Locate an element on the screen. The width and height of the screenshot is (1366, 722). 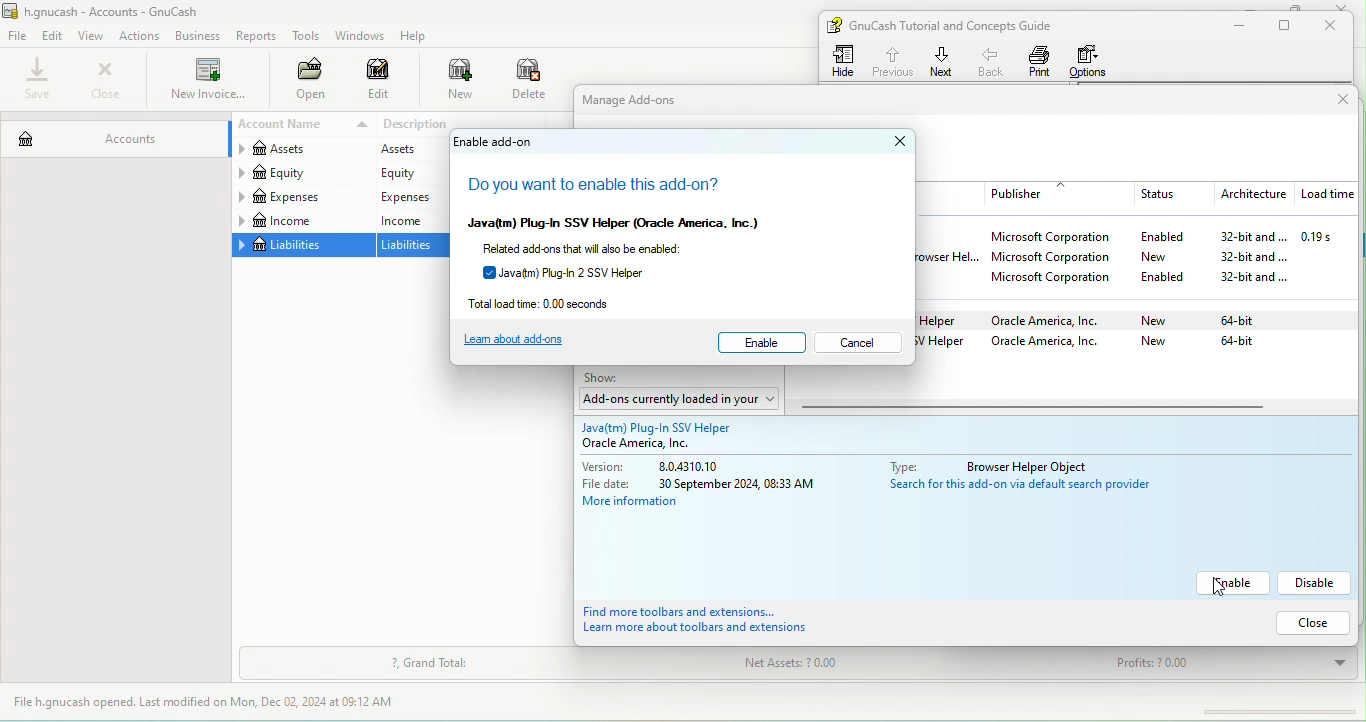
close is located at coordinates (893, 142).